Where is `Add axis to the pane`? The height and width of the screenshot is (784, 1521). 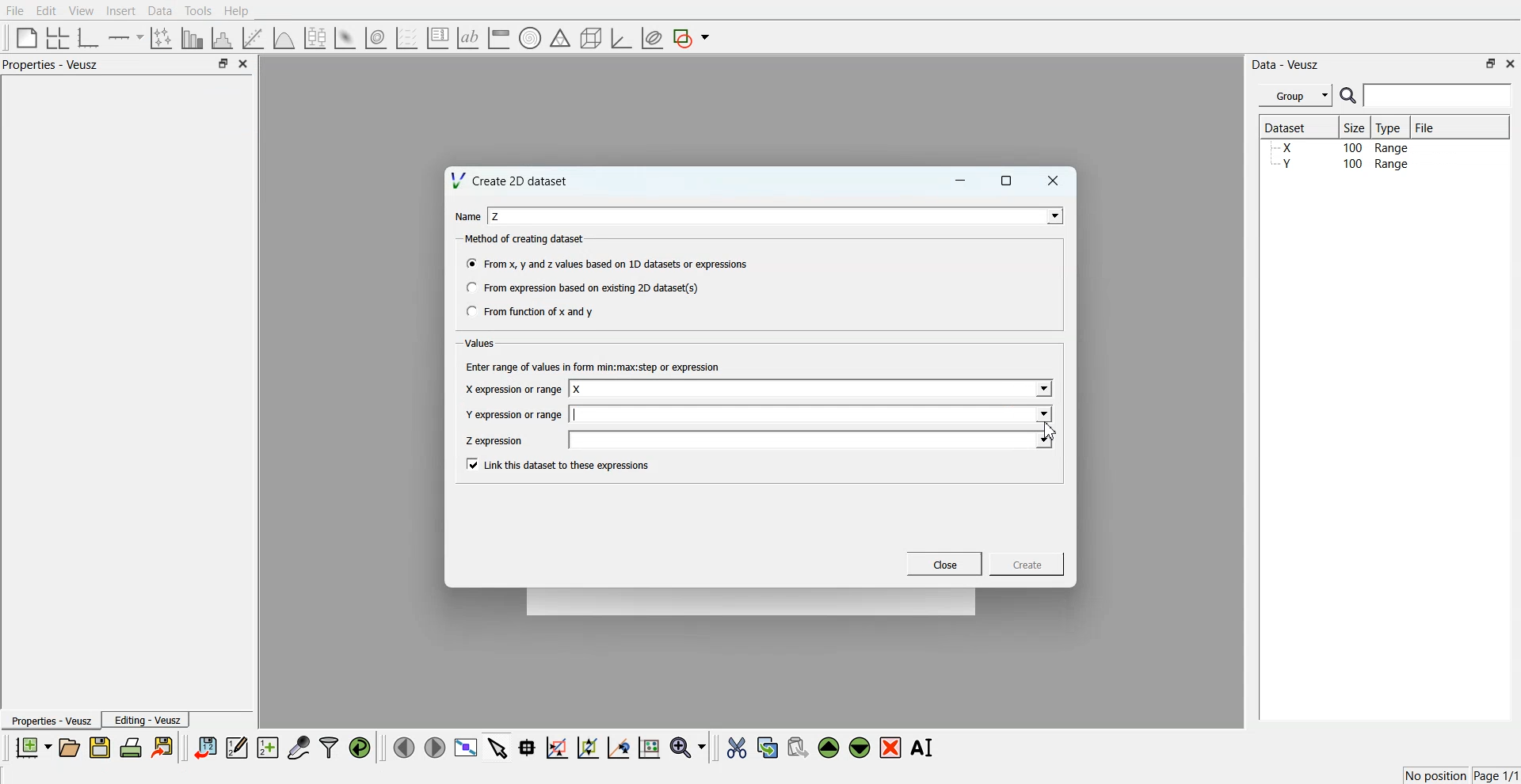 Add axis to the pane is located at coordinates (125, 39).